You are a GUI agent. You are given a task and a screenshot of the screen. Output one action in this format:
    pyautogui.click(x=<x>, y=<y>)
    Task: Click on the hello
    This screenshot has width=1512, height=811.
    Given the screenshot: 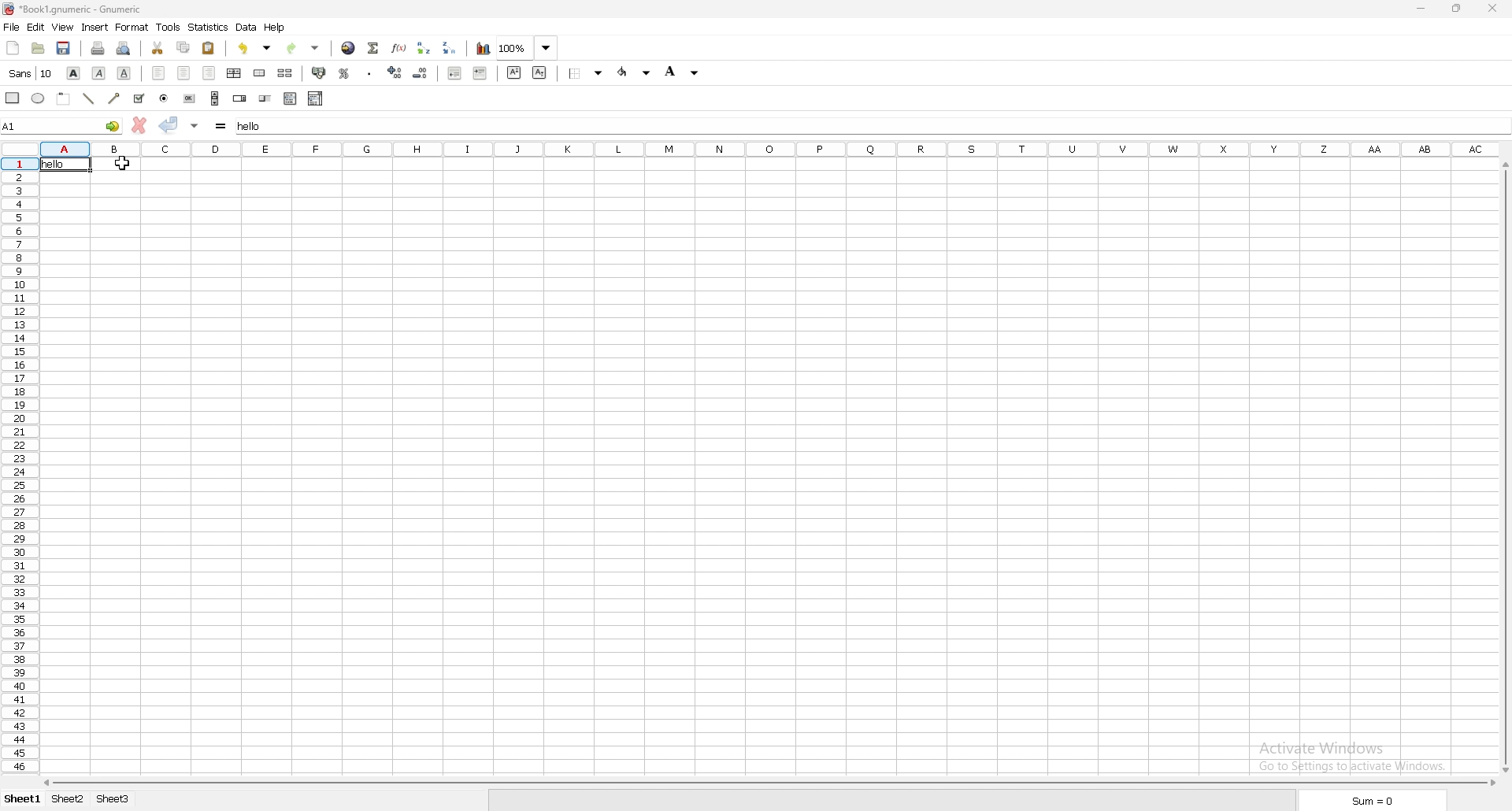 What is the action you would take?
    pyautogui.click(x=53, y=168)
    